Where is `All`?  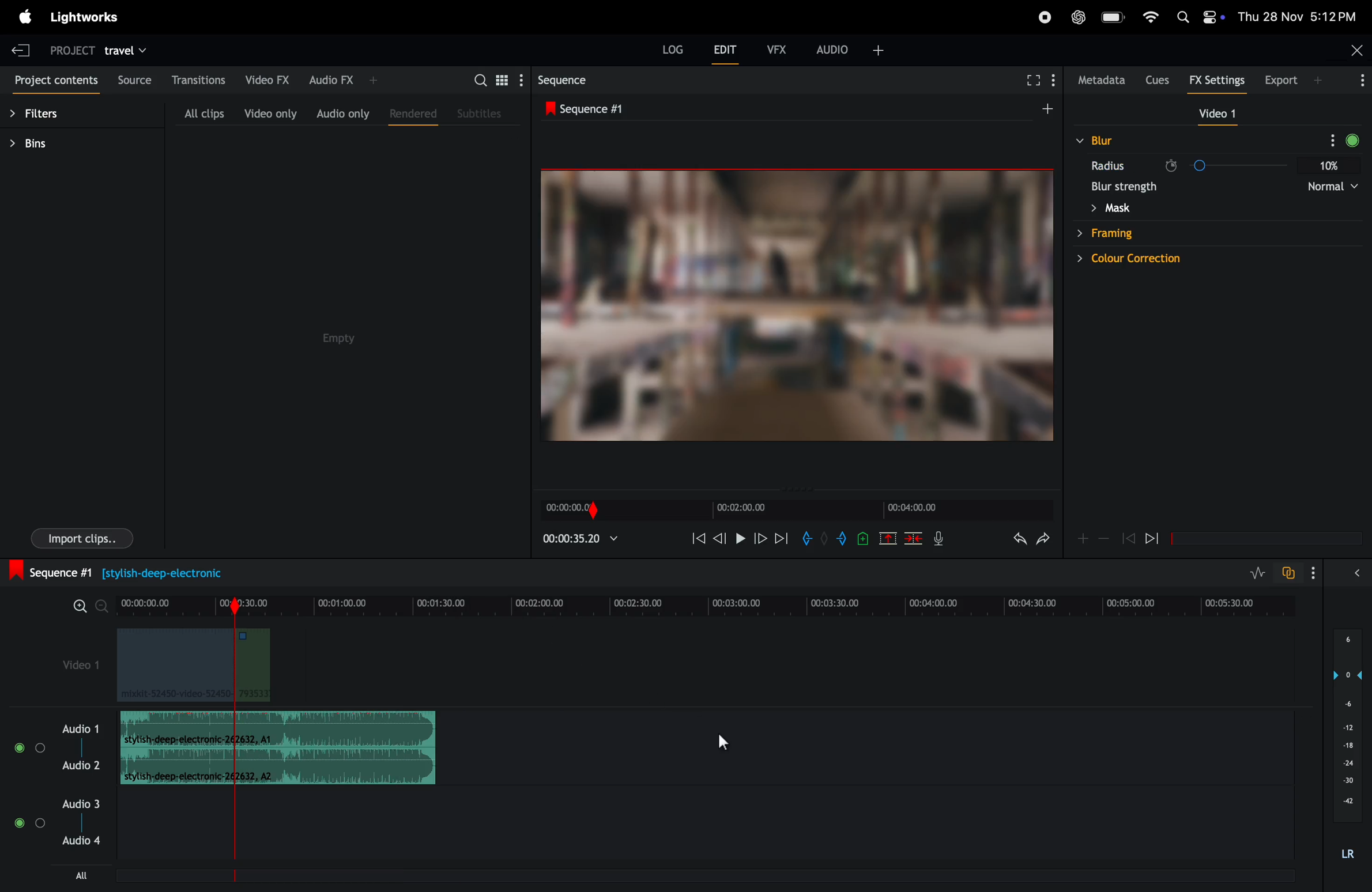 All is located at coordinates (85, 874).